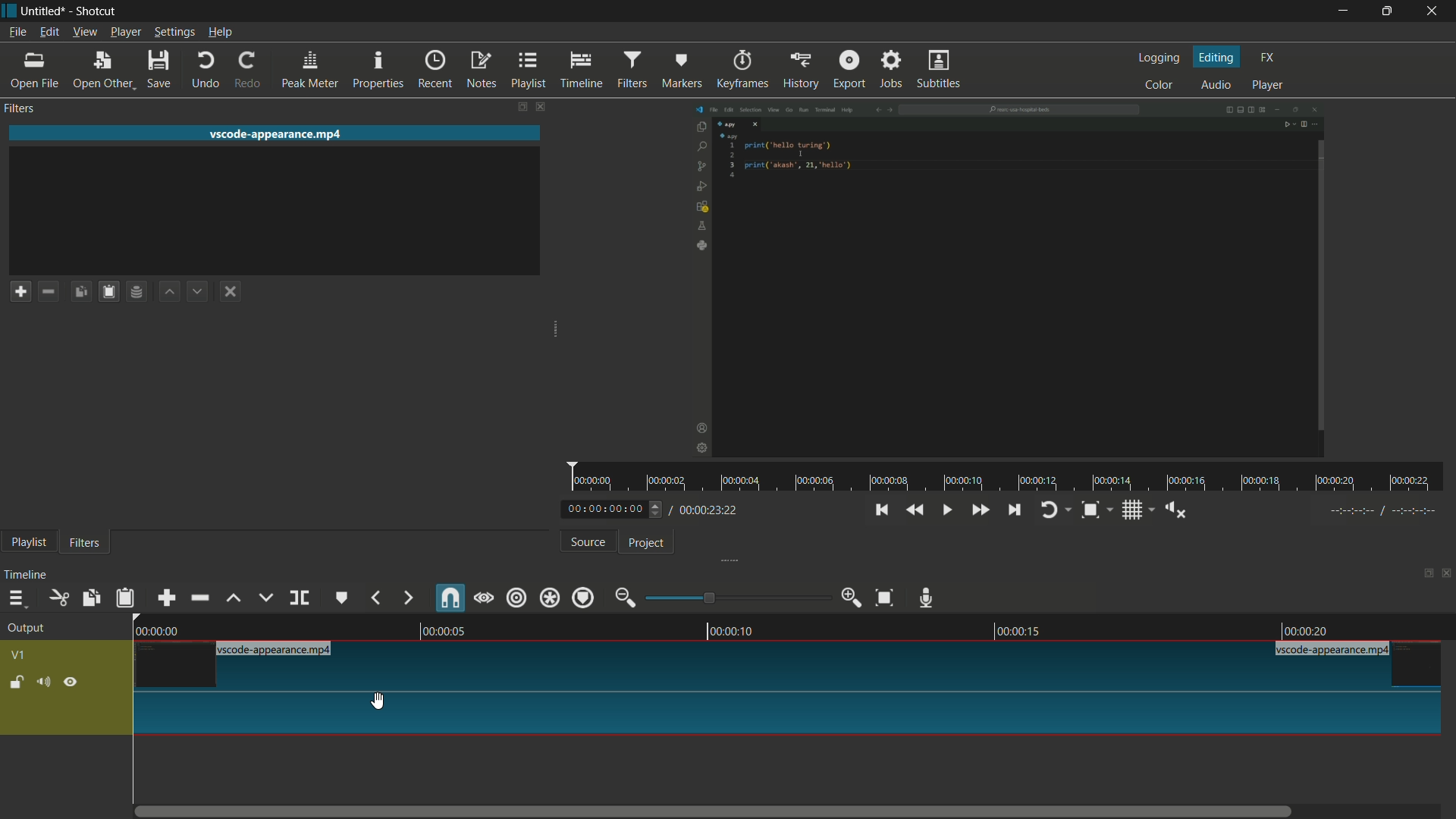 The image size is (1456, 819). I want to click on overwrite, so click(265, 598).